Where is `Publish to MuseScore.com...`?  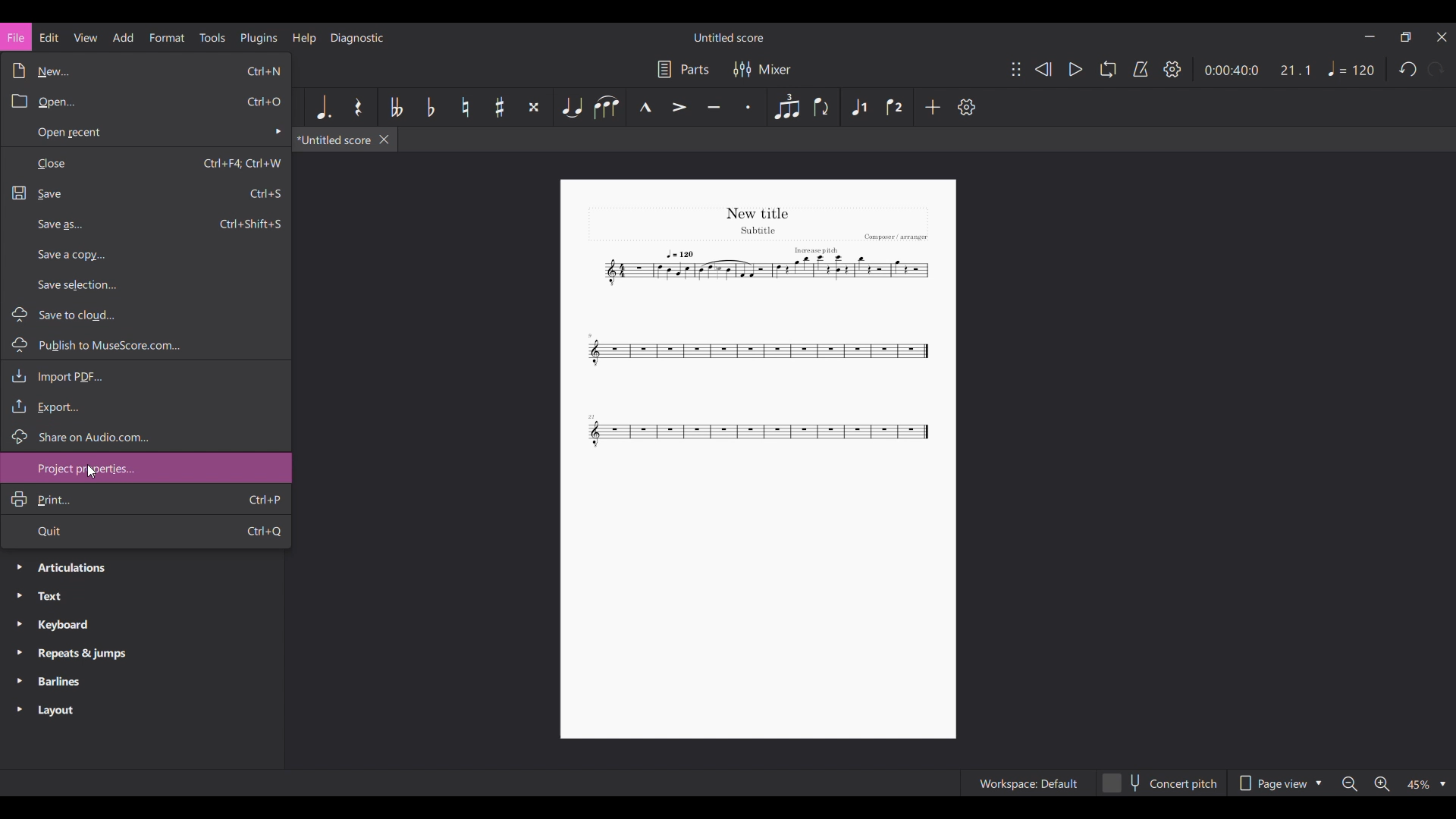 Publish to MuseScore.com... is located at coordinates (145, 345).